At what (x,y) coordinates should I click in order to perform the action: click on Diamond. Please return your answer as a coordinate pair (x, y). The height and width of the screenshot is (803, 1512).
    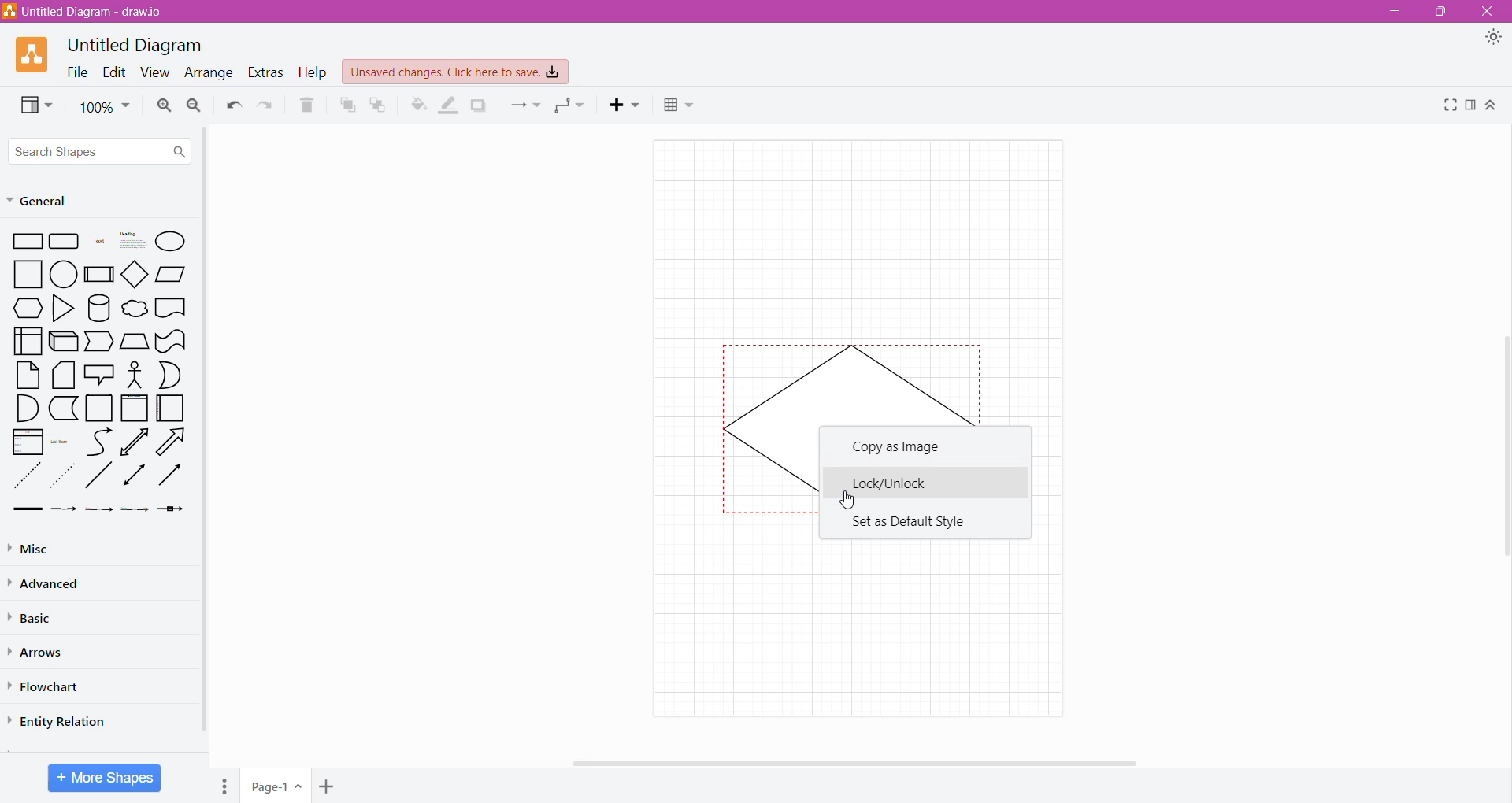
    Looking at the image, I should click on (136, 276).